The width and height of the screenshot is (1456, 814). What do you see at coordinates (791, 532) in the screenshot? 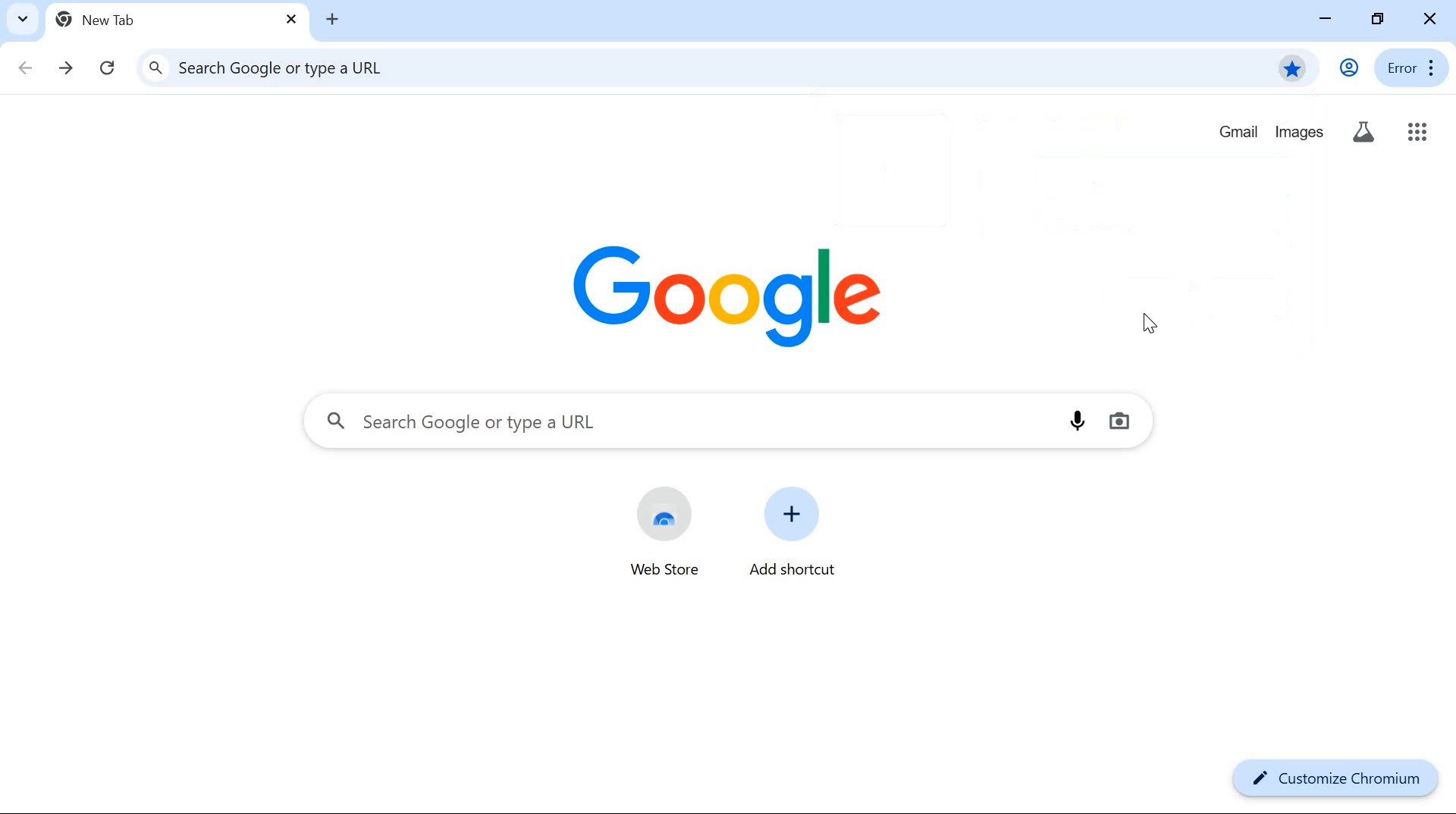
I see `add shortcut` at bounding box center [791, 532].